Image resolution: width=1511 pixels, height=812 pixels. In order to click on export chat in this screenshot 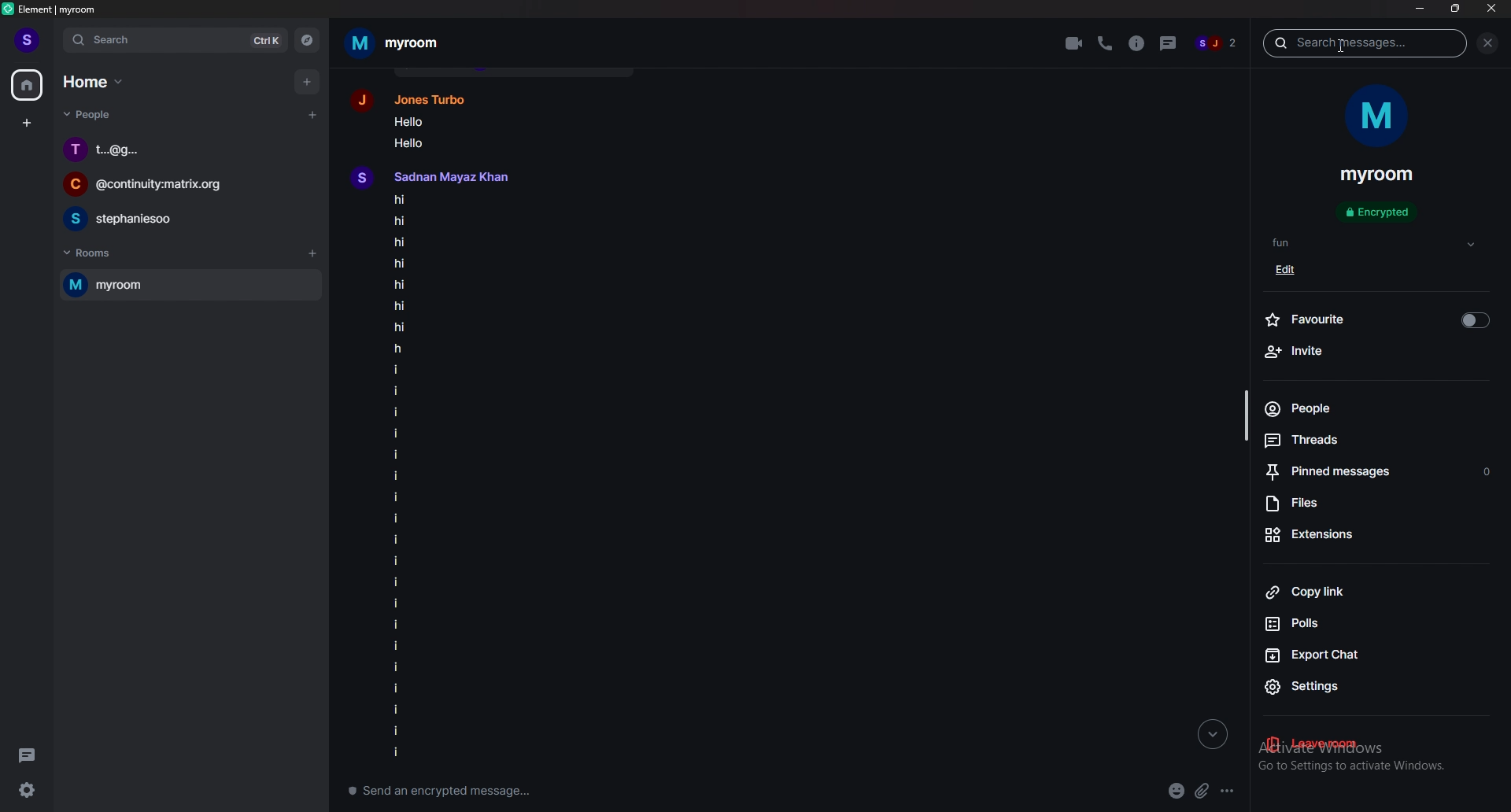, I will do `click(1347, 656)`.